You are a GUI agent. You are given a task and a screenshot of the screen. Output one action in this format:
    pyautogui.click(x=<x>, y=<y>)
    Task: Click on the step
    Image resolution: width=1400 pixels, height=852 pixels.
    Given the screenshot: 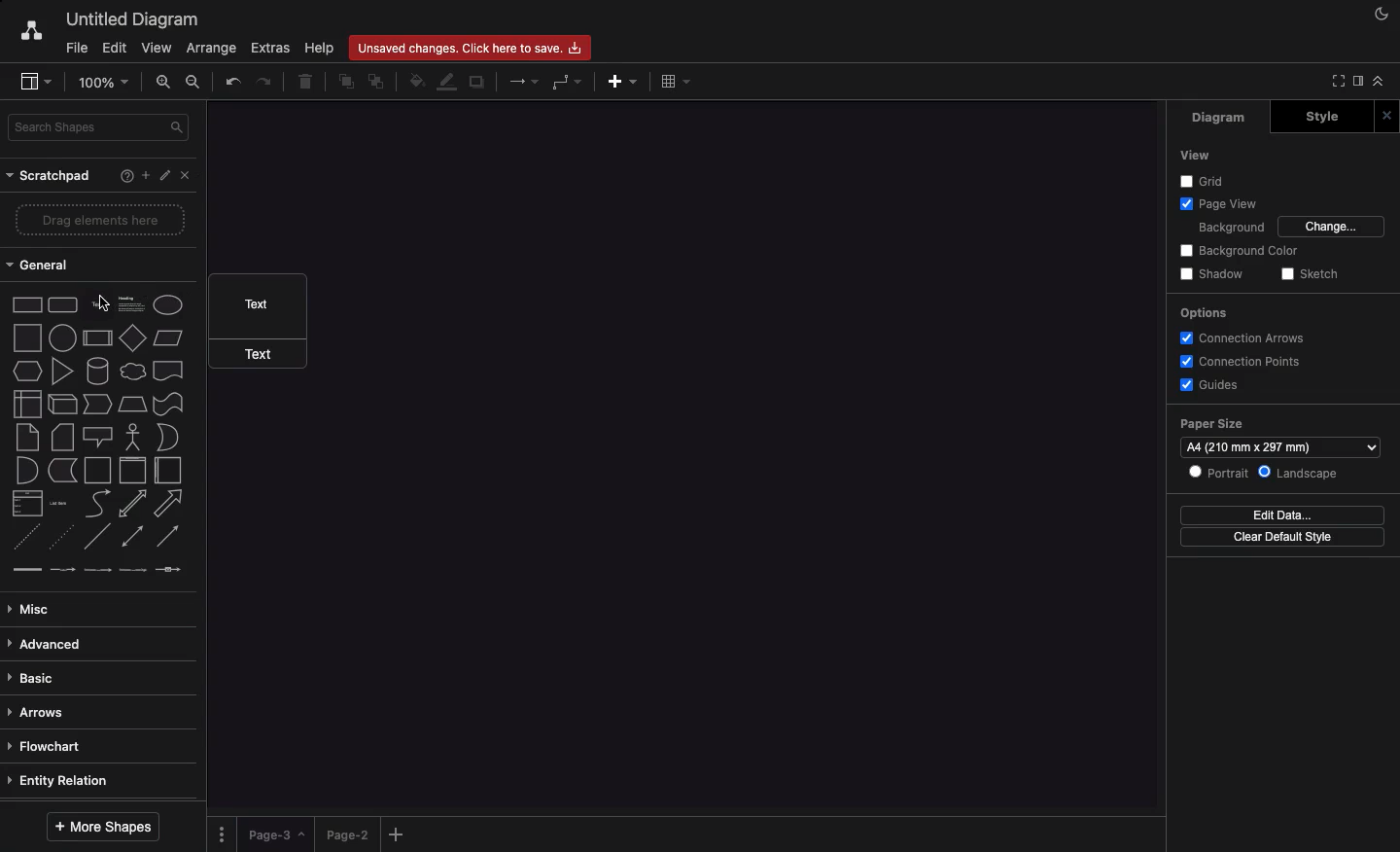 What is the action you would take?
    pyautogui.click(x=97, y=404)
    